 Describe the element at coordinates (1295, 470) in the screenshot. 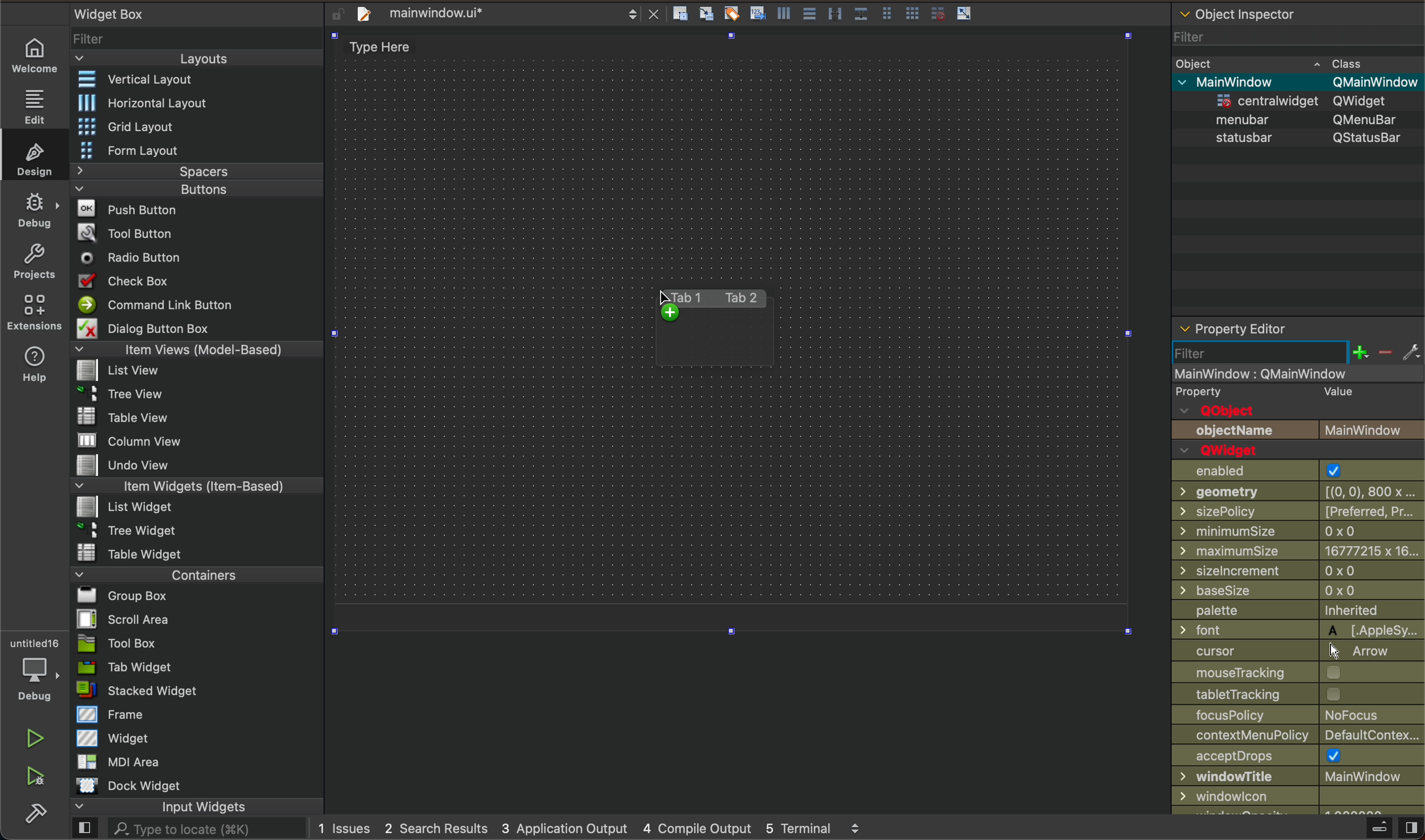

I see `enabled` at that location.